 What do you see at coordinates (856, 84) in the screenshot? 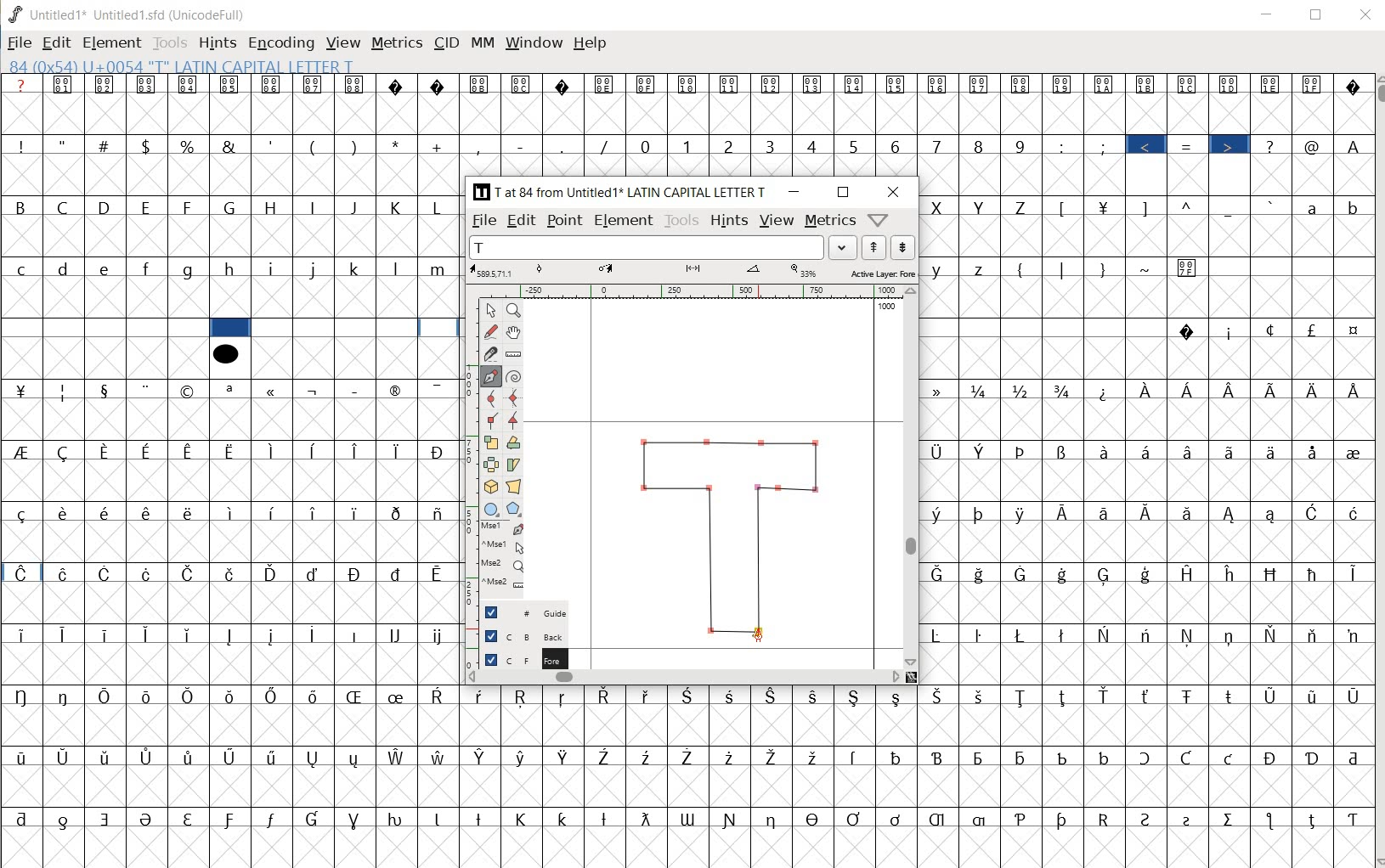
I see `Symbol` at bounding box center [856, 84].